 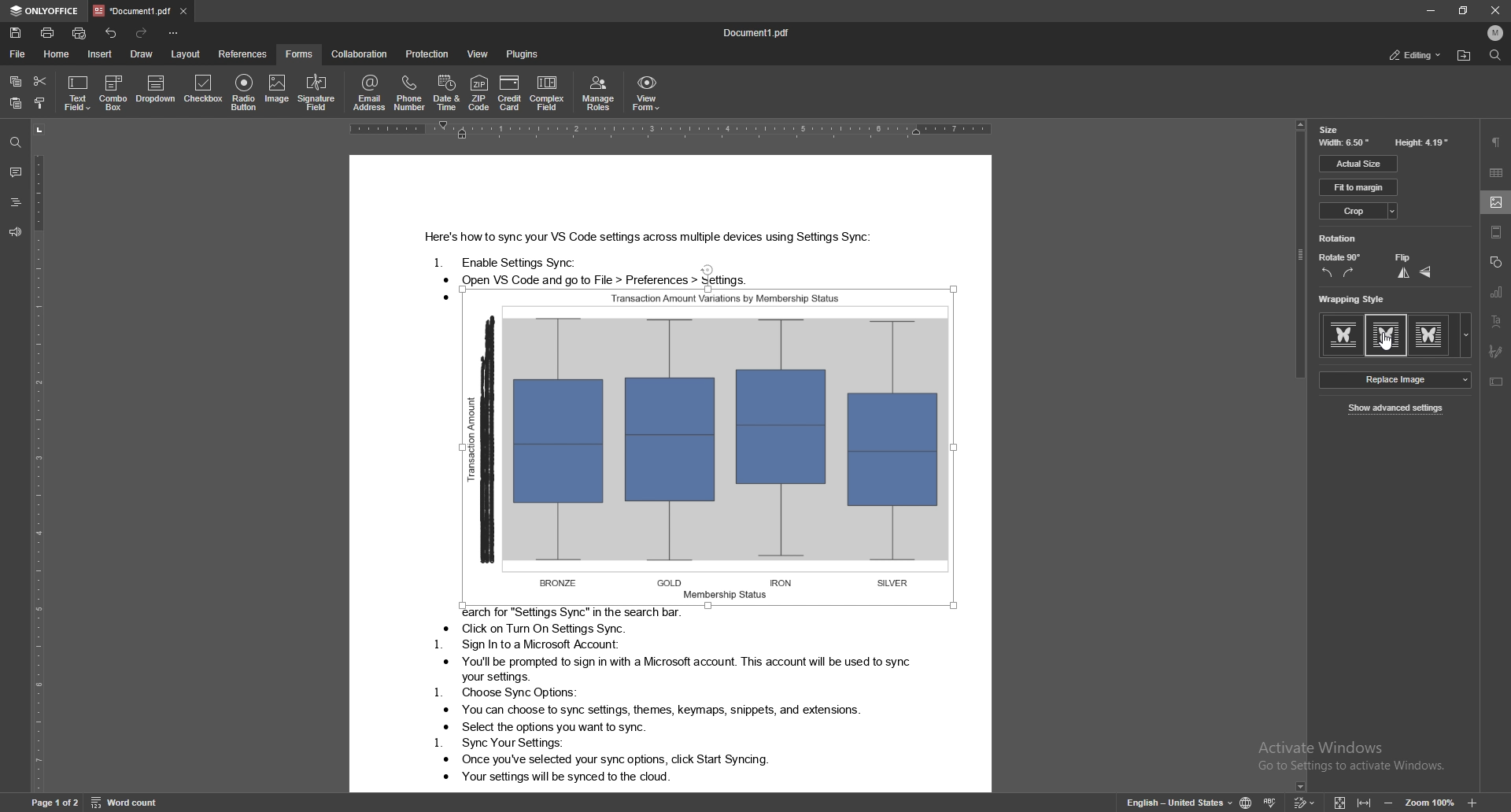 What do you see at coordinates (765, 31) in the screenshot?
I see `docuement` at bounding box center [765, 31].